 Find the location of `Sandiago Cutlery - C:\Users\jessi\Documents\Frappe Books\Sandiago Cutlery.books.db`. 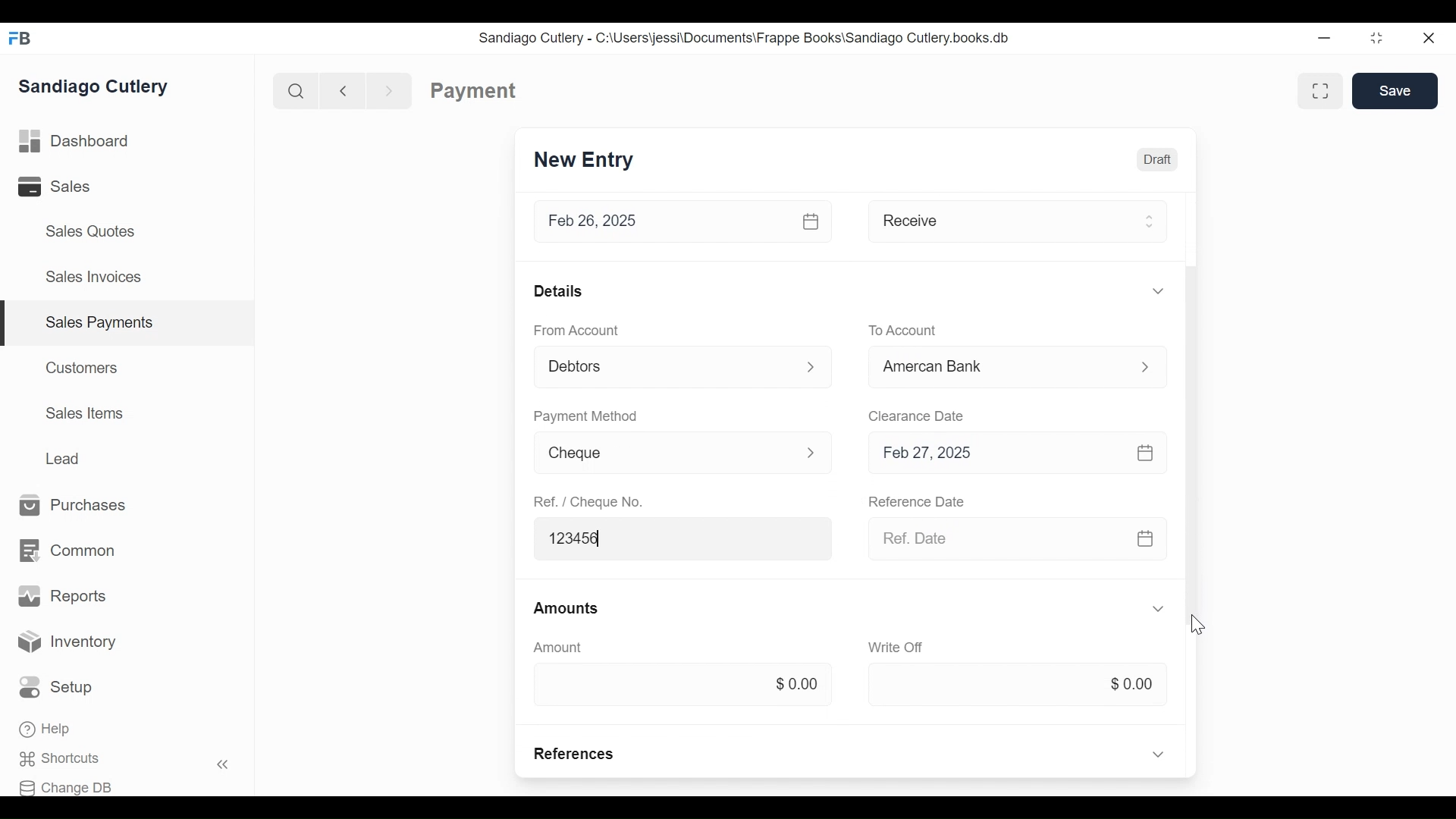

Sandiago Cutlery - C:\Users\jessi\Documents\Frappe Books\Sandiago Cutlery.books.db is located at coordinates (744, 37).